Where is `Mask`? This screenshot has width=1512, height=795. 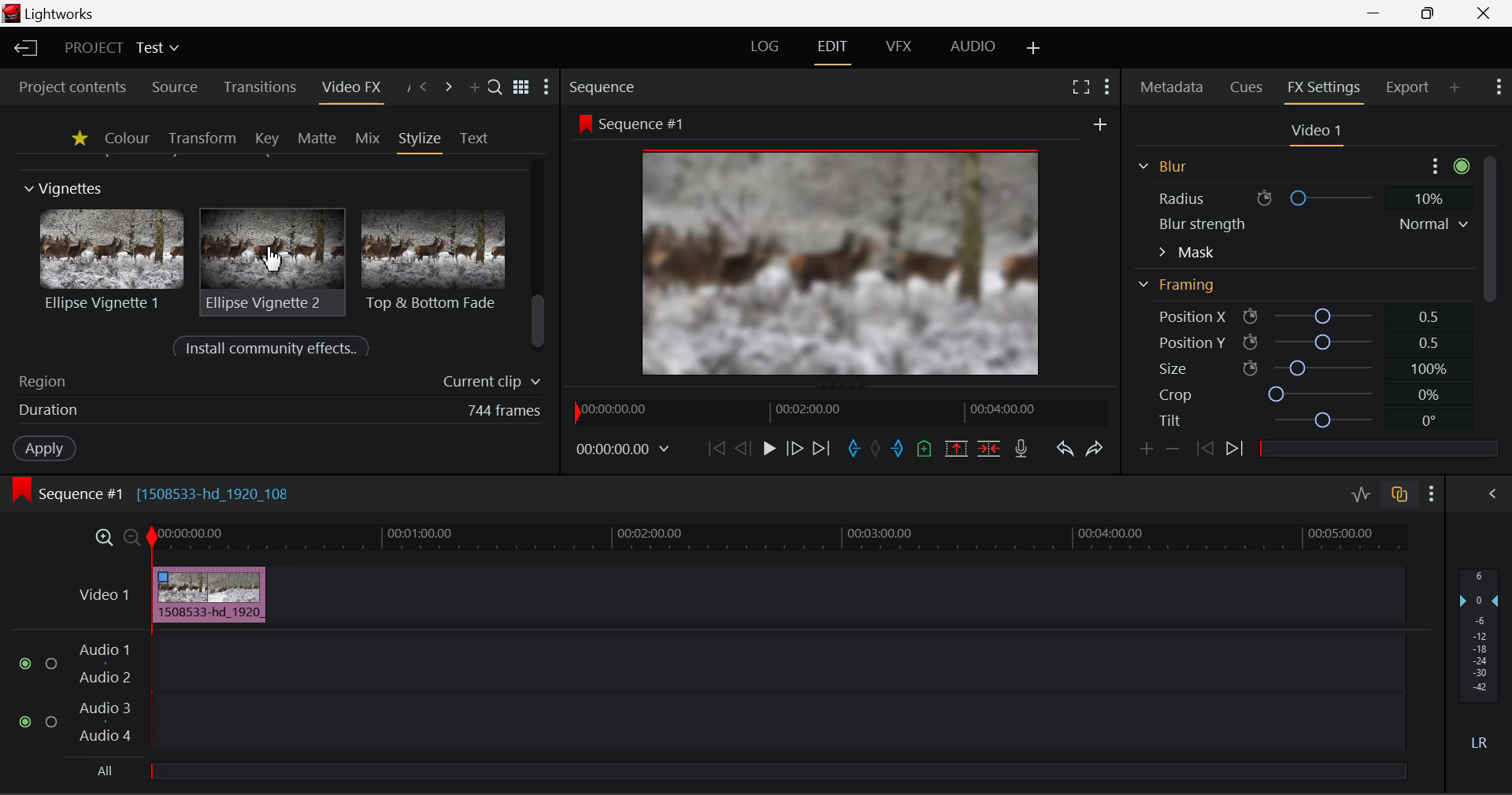
Mask is located at coordinates (1187, 252).